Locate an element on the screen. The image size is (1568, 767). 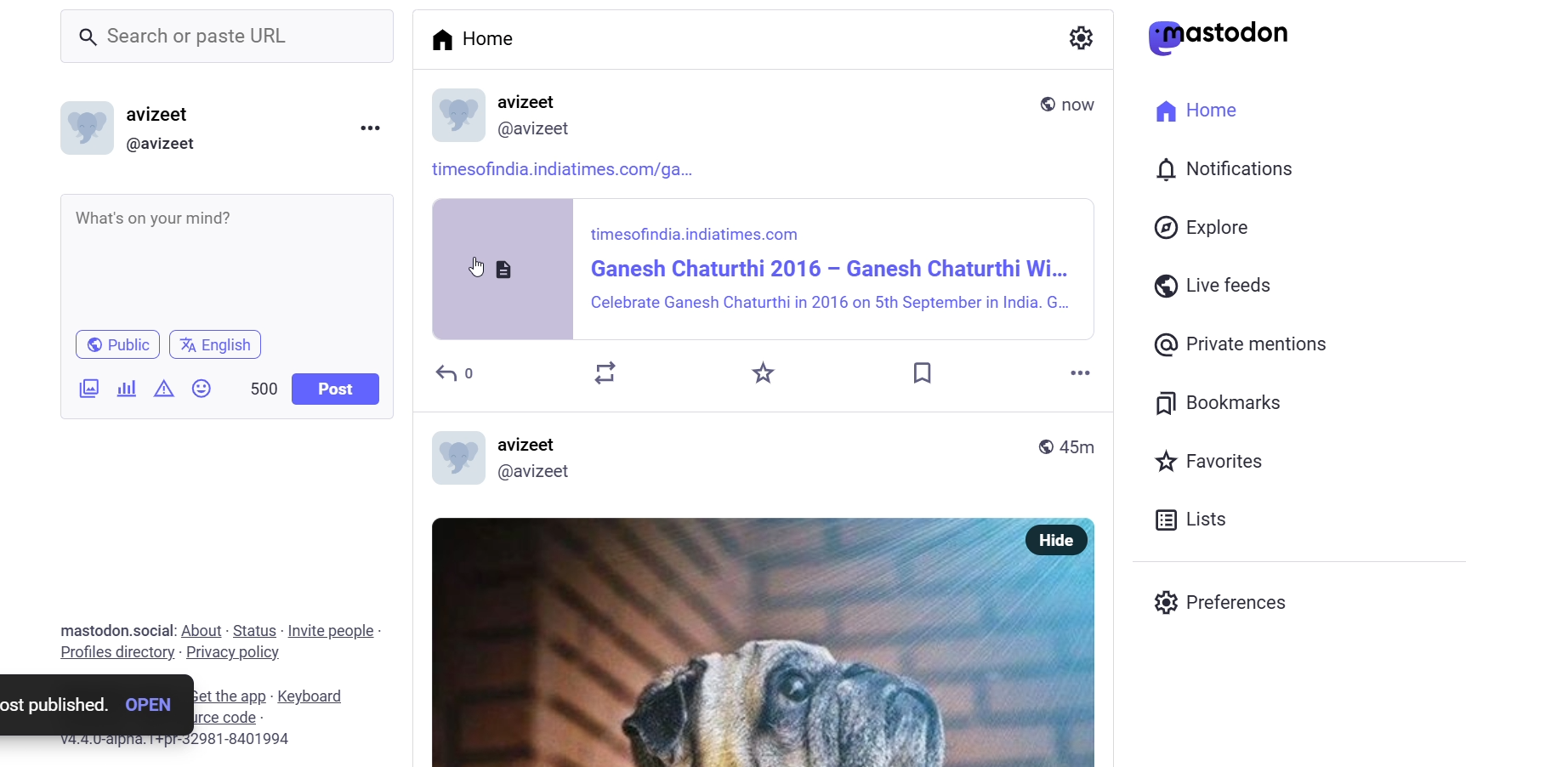
public is located at coordinates (1041, 105).